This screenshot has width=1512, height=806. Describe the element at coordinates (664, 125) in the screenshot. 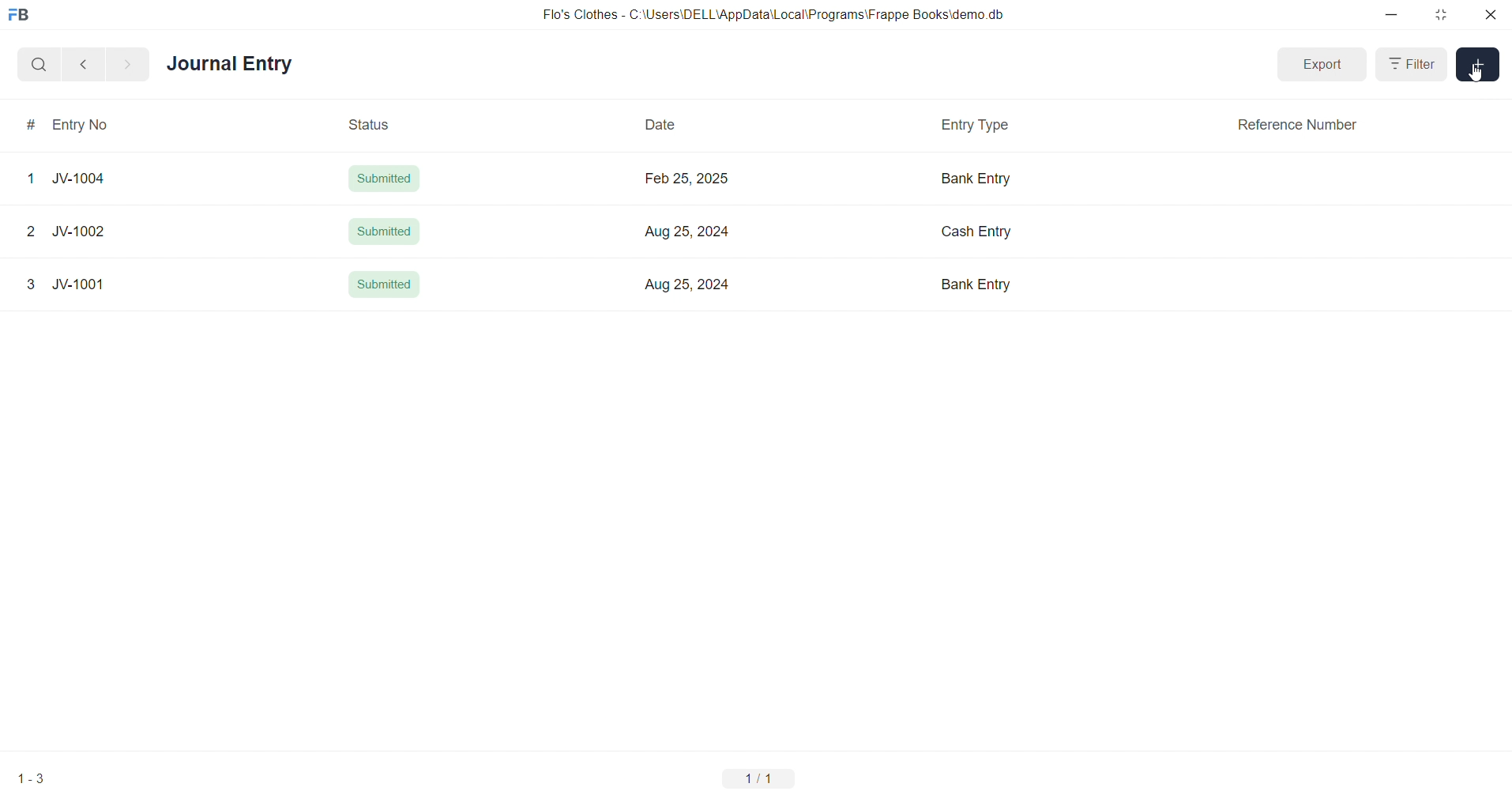

I see `Date` at that location.